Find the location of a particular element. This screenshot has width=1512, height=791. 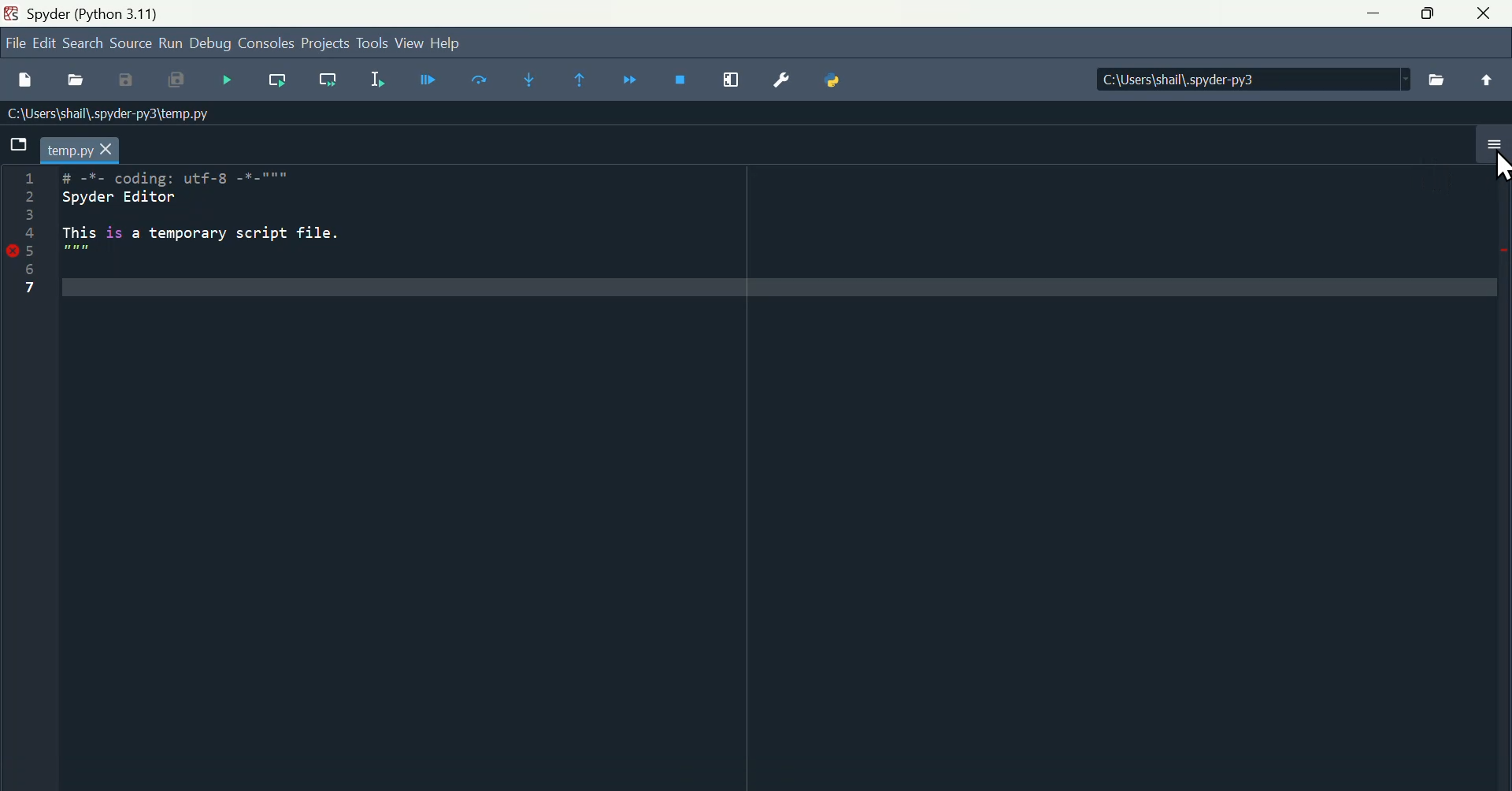

Run current line and go to the next one is located at coordinates (327, 83).